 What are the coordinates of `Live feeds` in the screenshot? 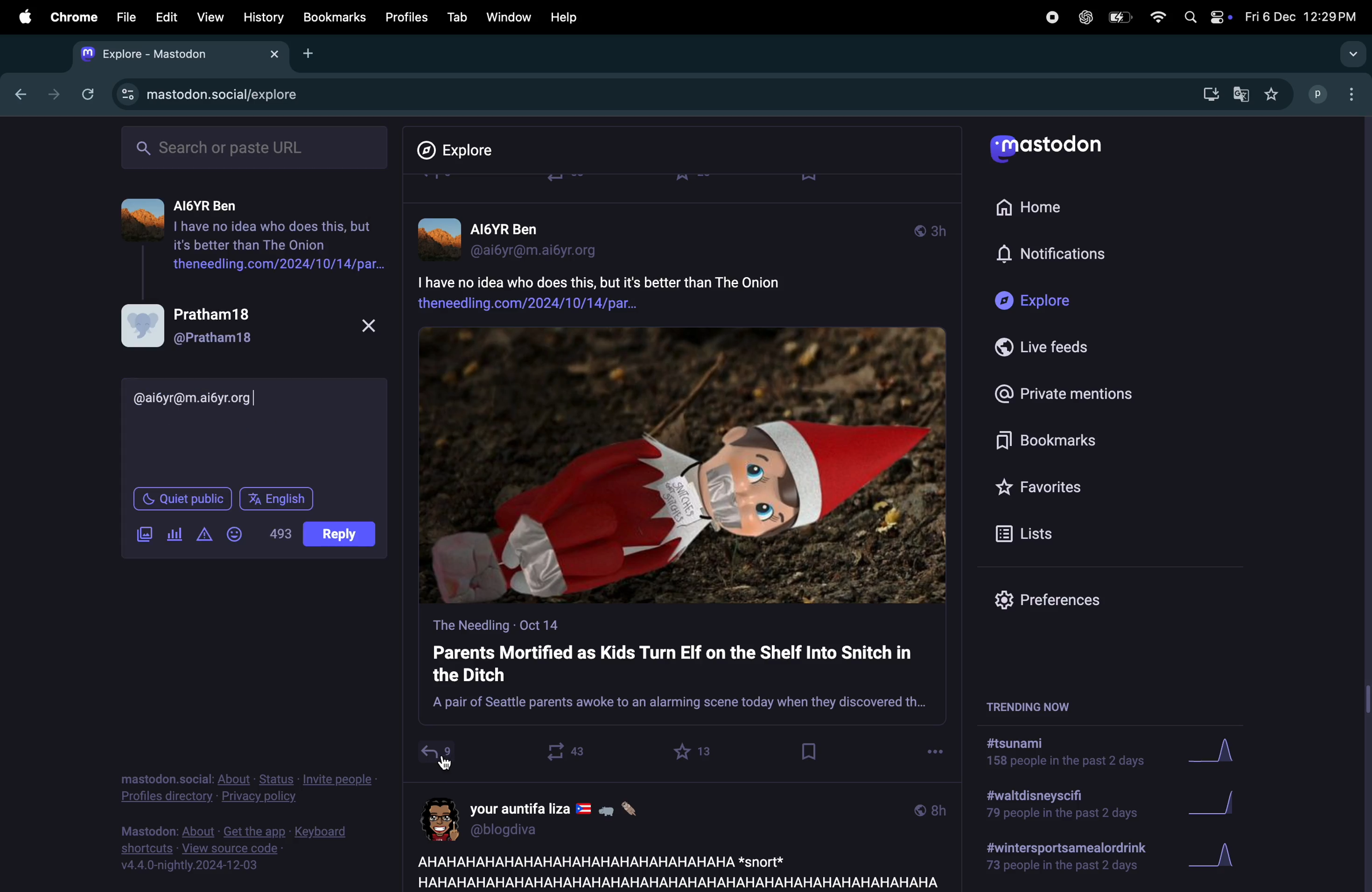 It's located at (1051, 347).